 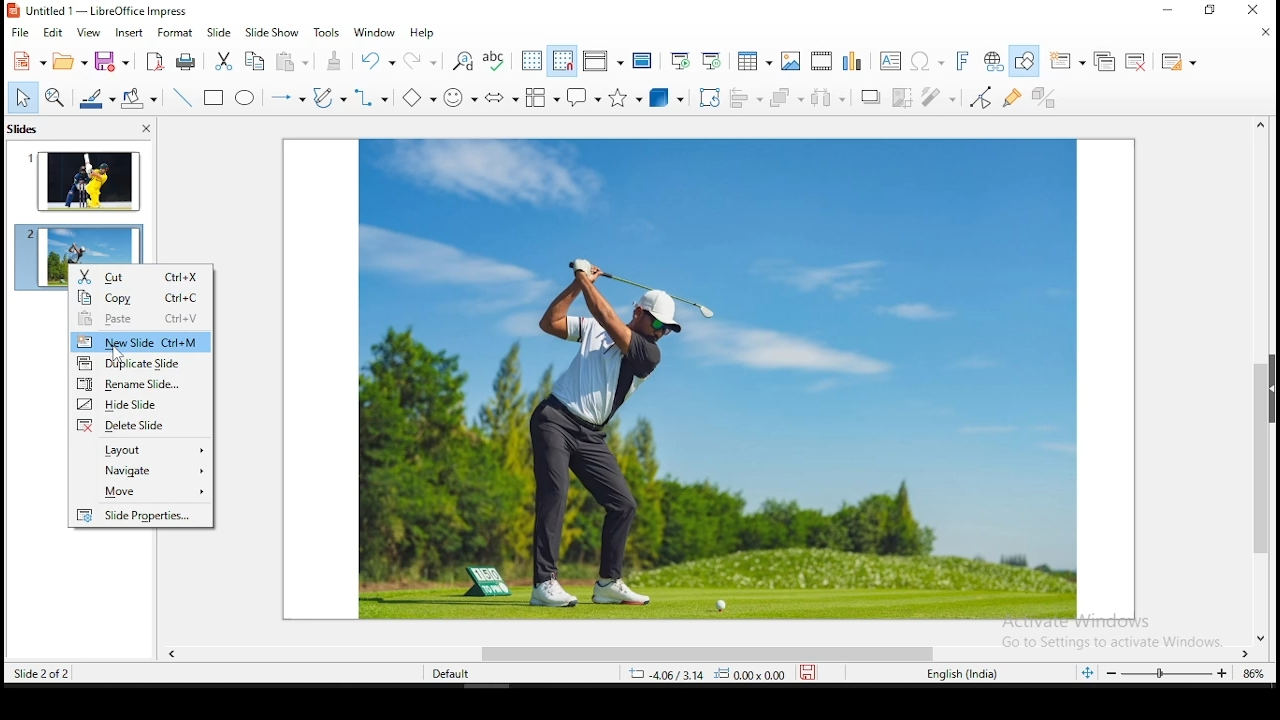 What do you see at coordinates (270, 32) in the screenshot?
I see `slide show` at bounding box center [270, 32].